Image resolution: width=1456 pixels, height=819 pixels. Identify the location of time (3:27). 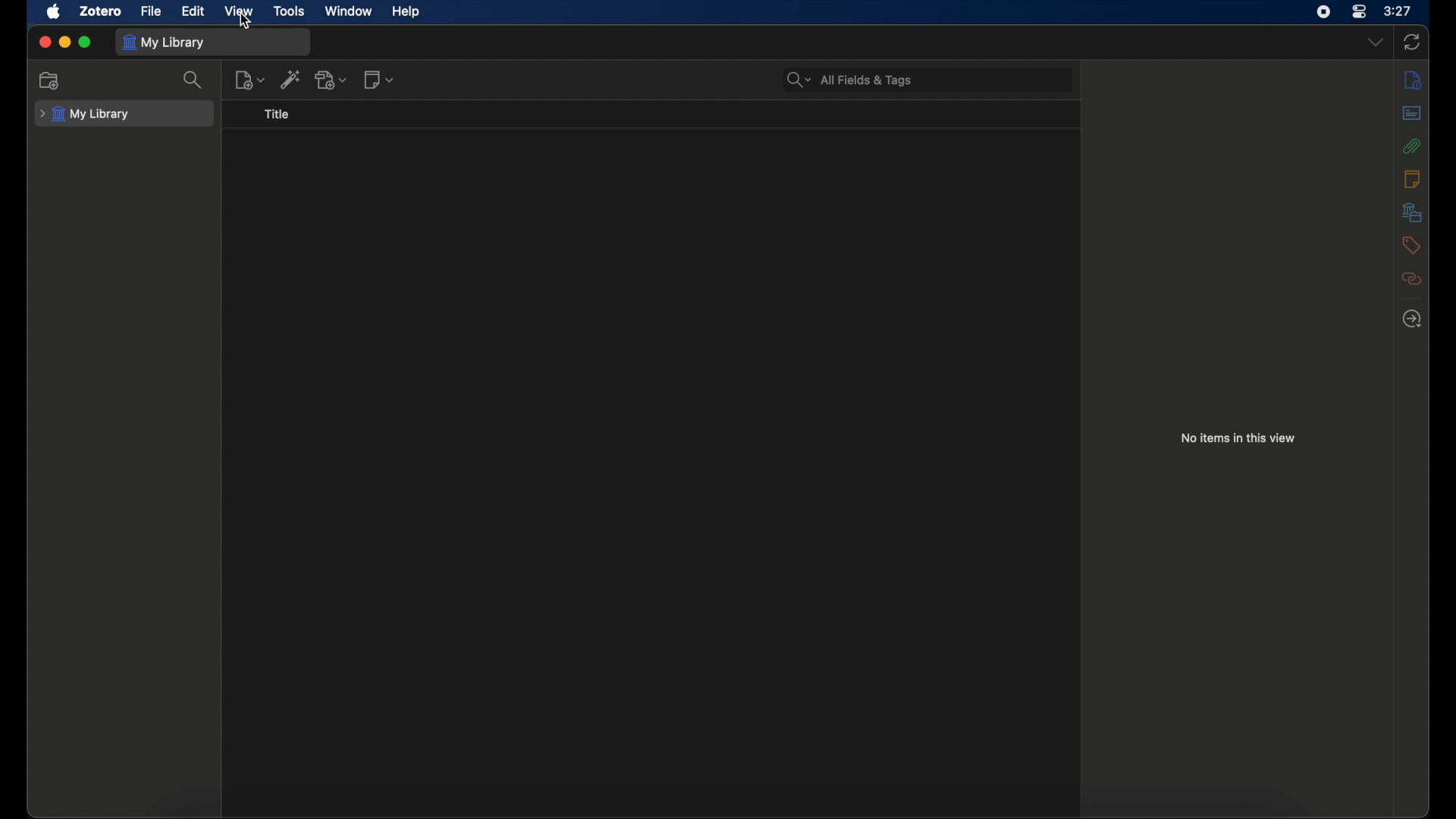
(1398, 10).